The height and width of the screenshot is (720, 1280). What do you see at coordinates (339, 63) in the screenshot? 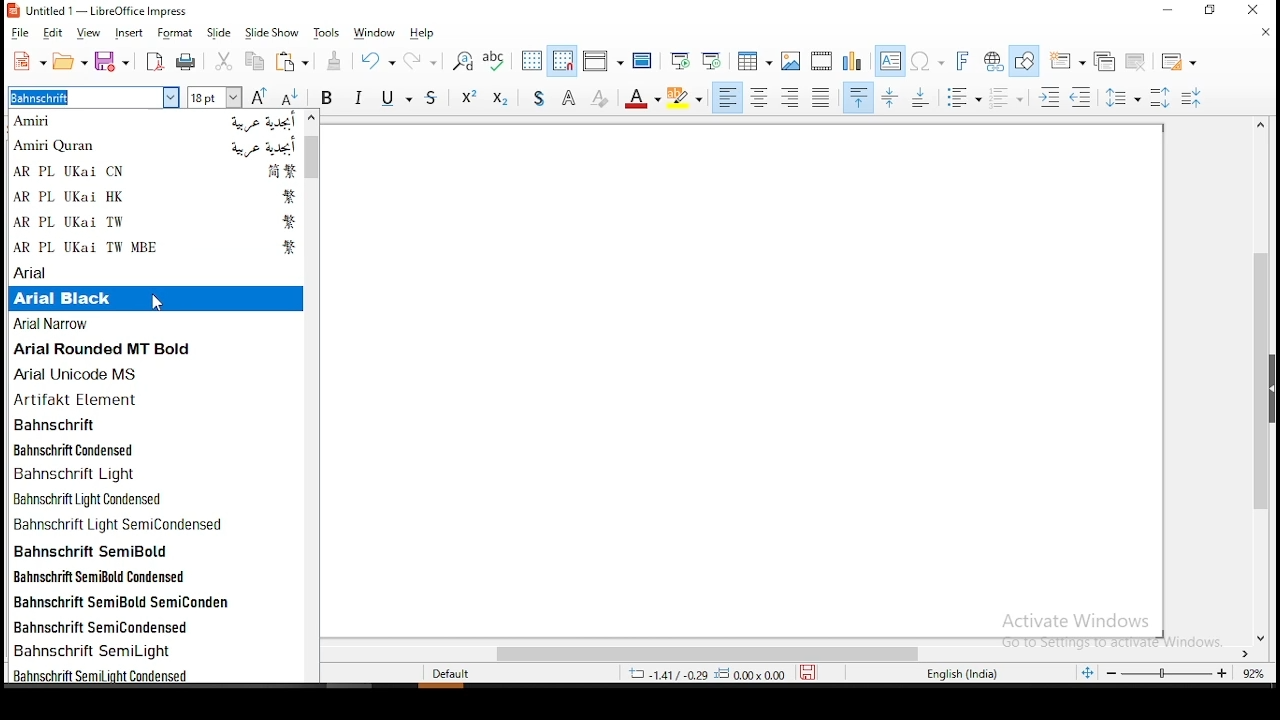
I see `clone formatting` at bounding box center [339, 63].